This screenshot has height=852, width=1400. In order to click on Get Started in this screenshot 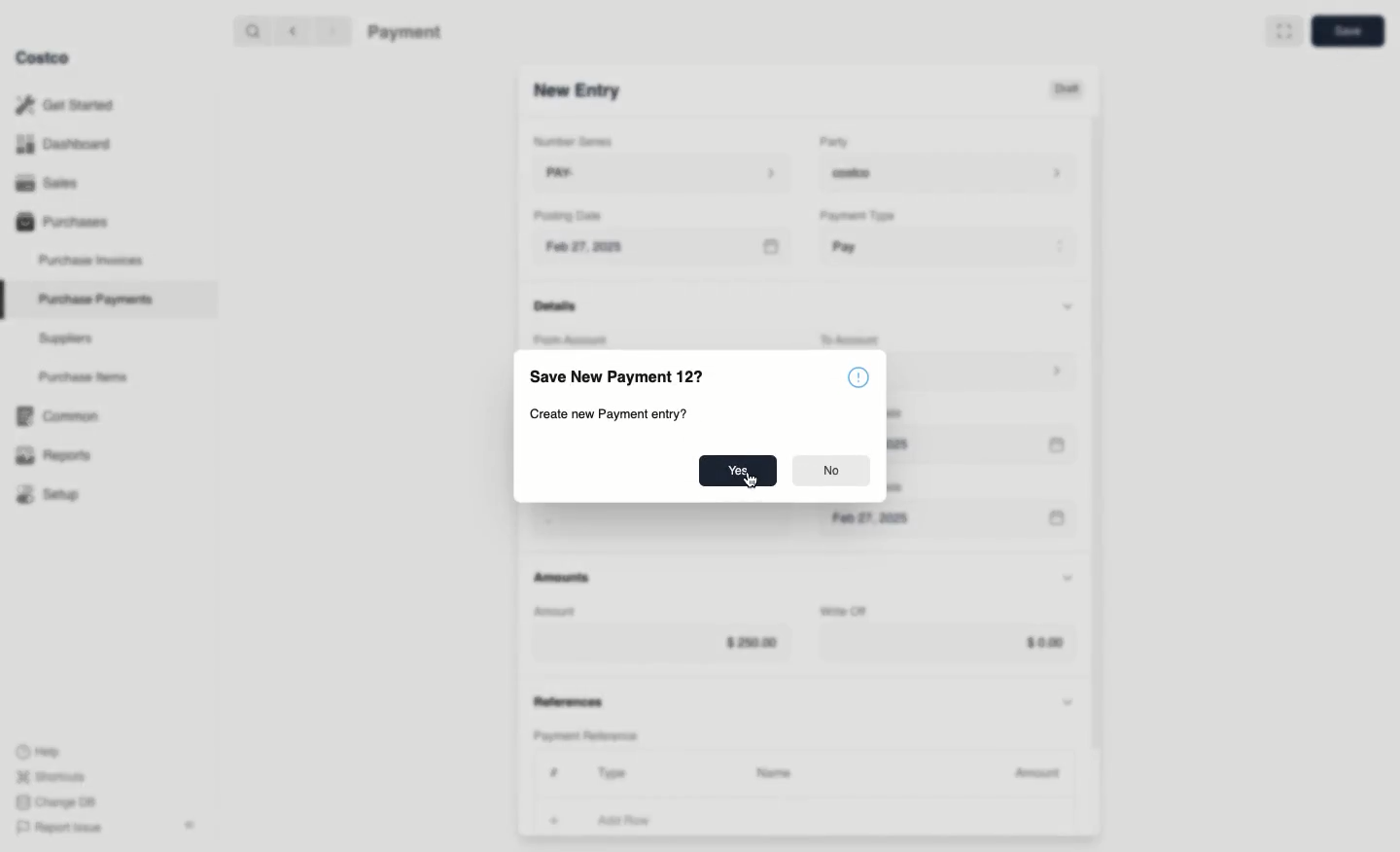, I will do `click(69, 105)`.